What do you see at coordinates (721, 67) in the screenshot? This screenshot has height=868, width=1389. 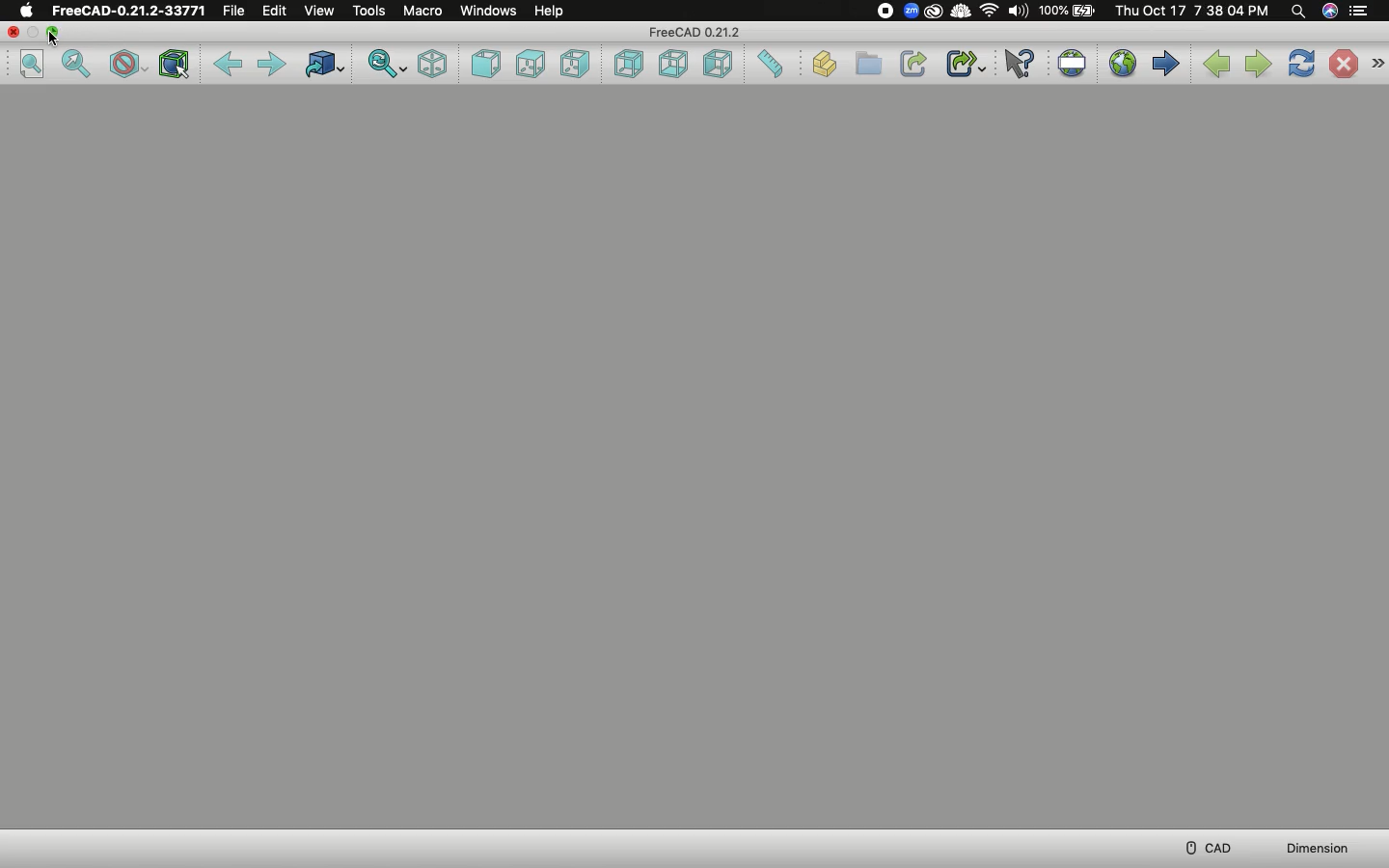 I see `Left` at bounding box center [721, 67].